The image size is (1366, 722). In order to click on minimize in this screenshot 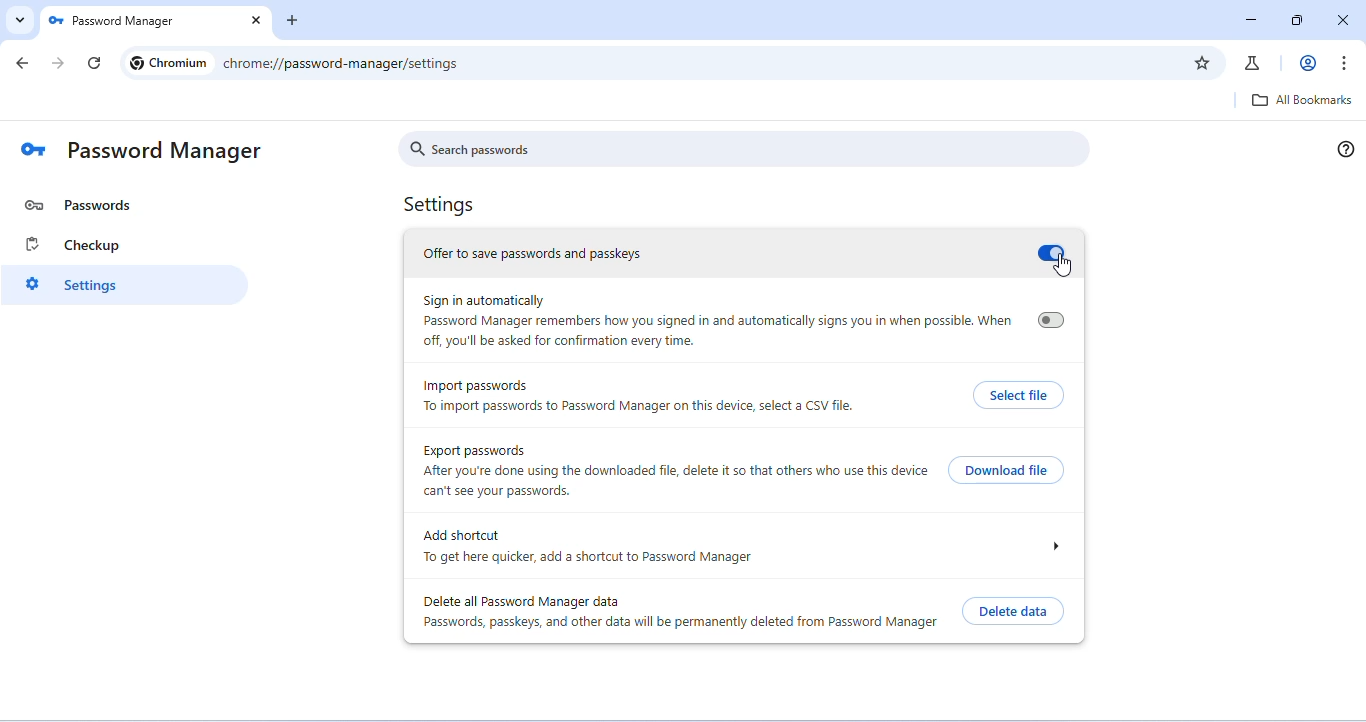, I will do `click(1250, 19)`.